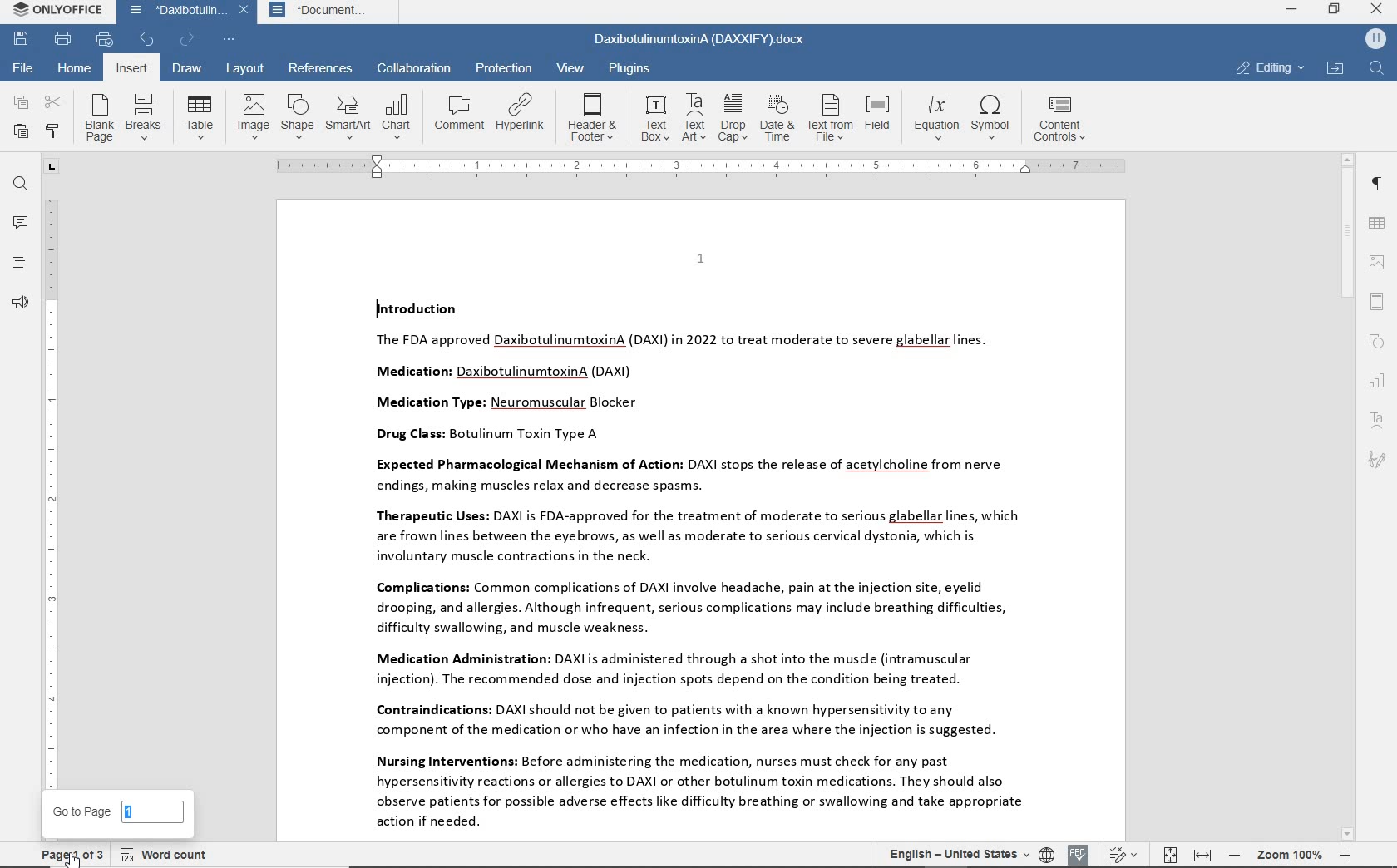  Describe the element at coordinates (1375, 183) in the screenshot. I see `paragraph settings` at that location.